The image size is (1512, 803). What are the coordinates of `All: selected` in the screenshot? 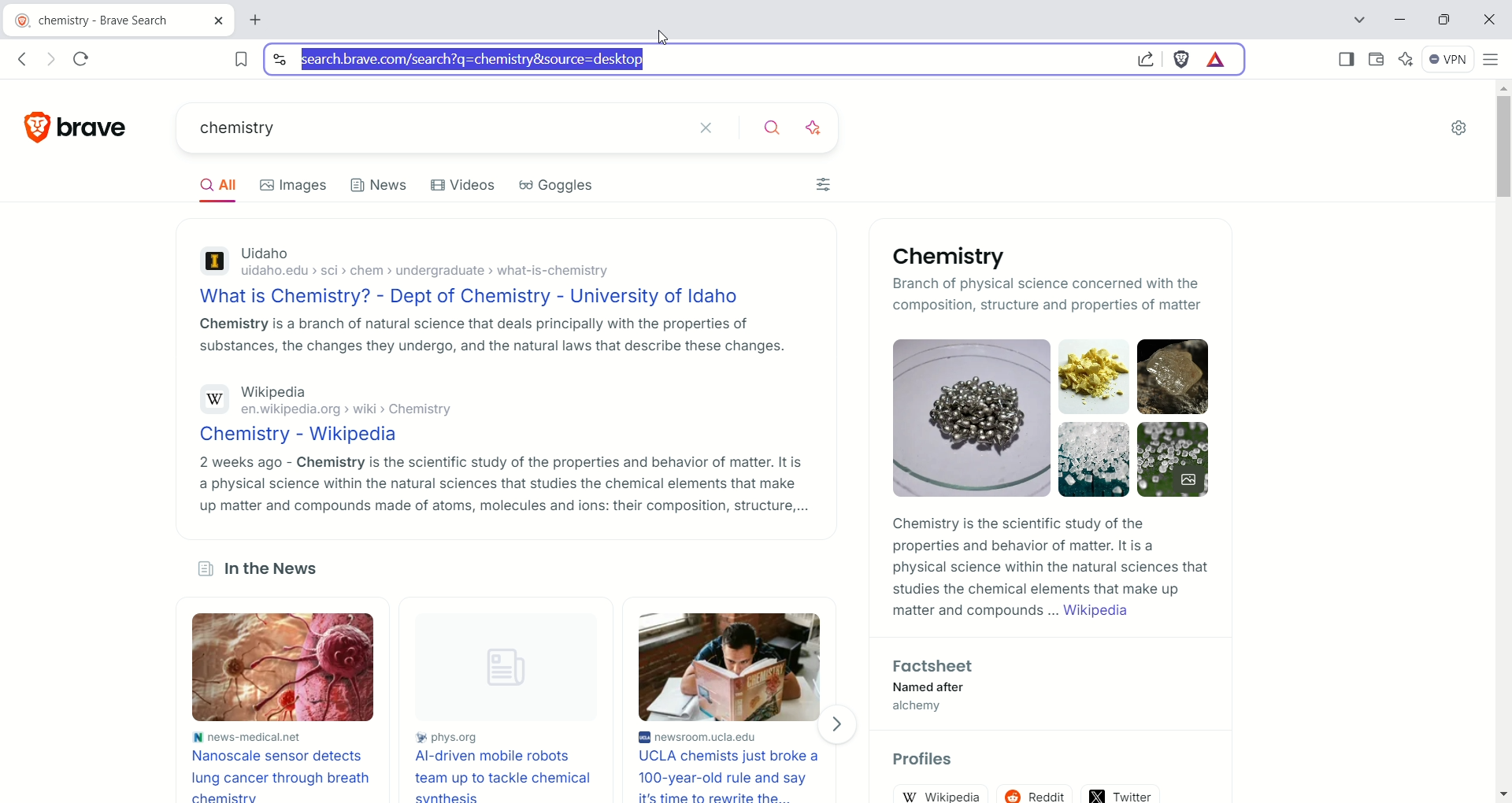 It's located at (215, 183).